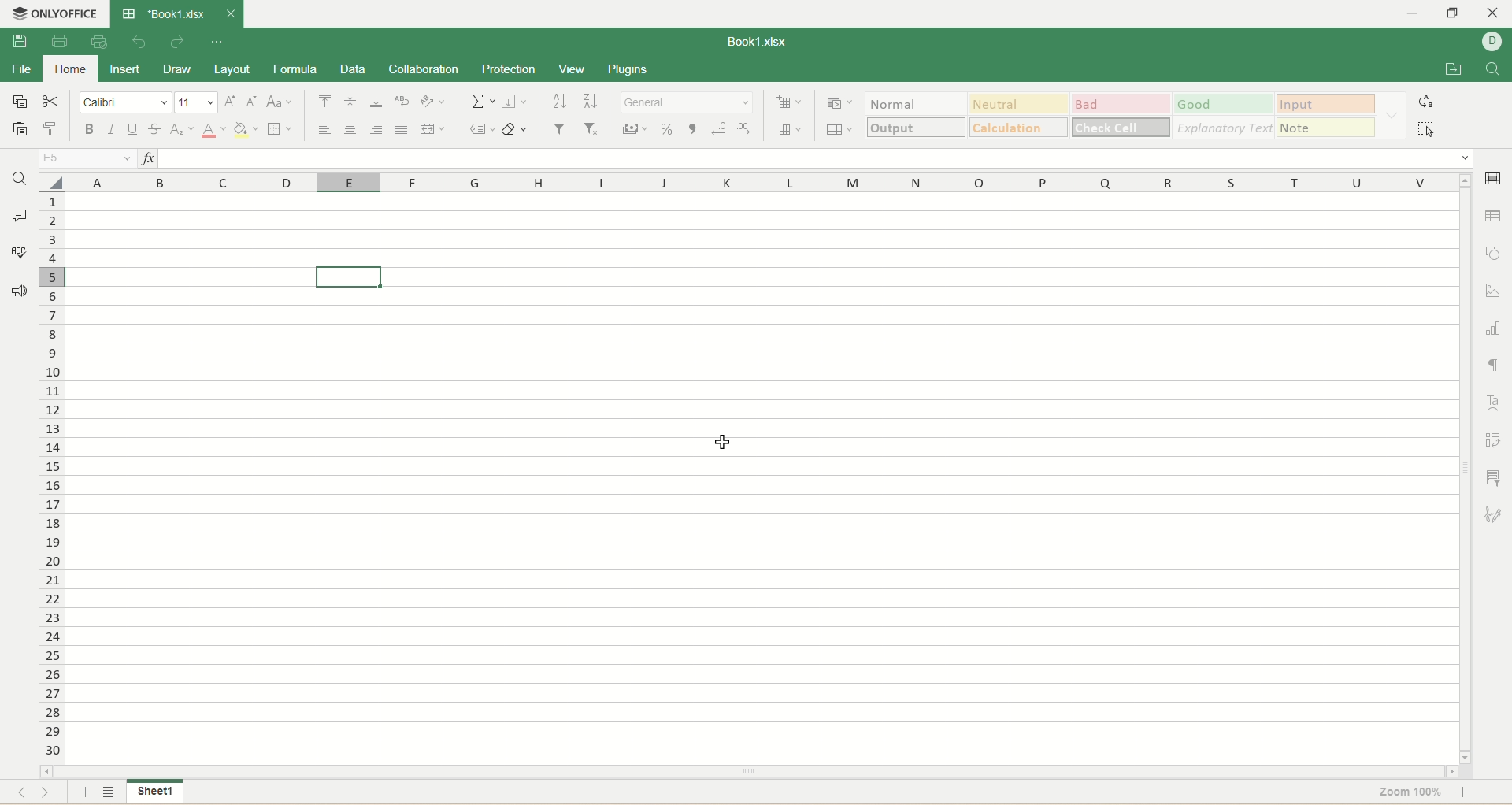 The height and width of the screenshot is (805, 1512). Describe the element at coordinates (128, 103) in the screenshot. I see `font name` at that location.